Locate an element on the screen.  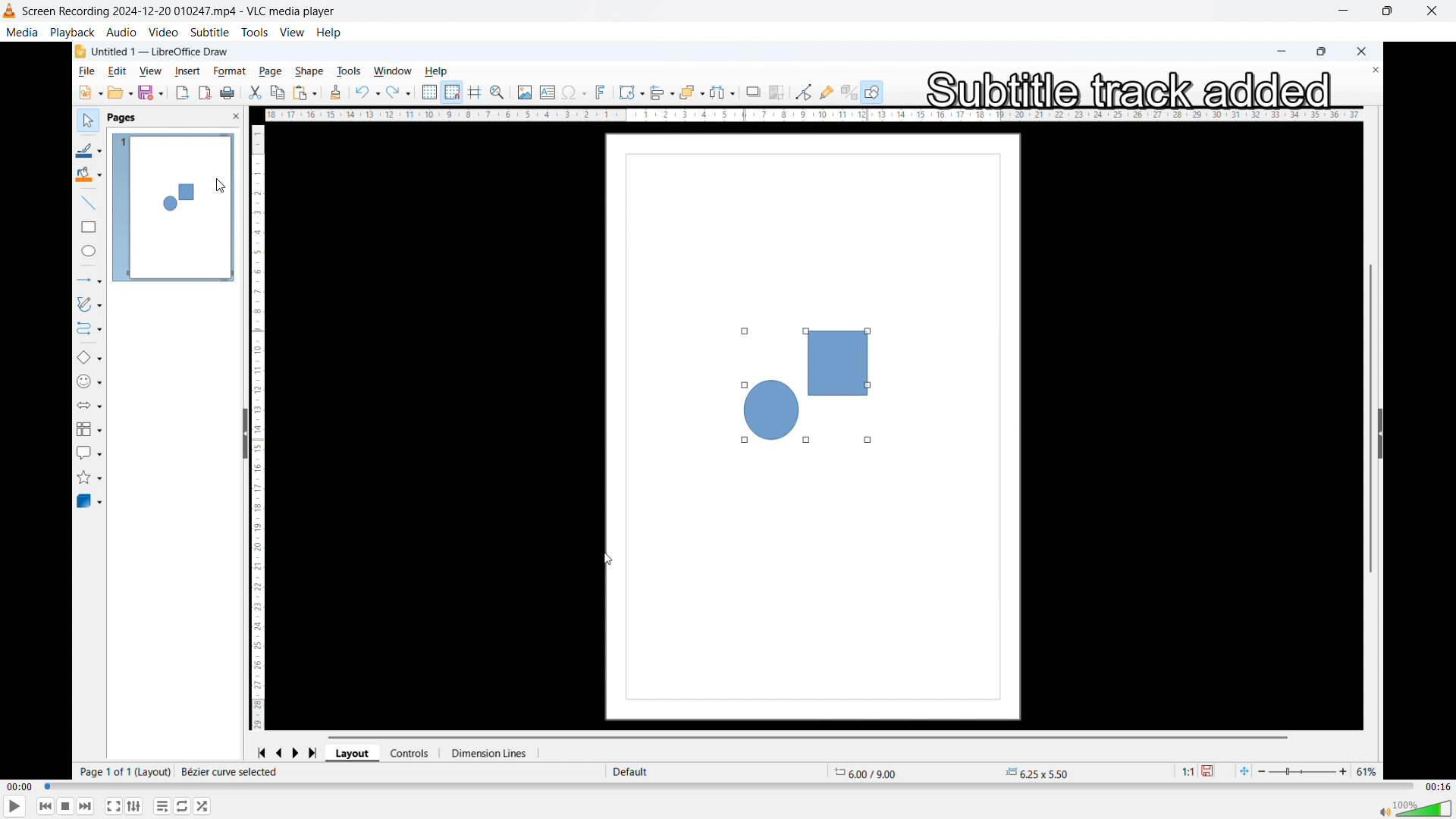
last page is located at coordinates (317, 751).